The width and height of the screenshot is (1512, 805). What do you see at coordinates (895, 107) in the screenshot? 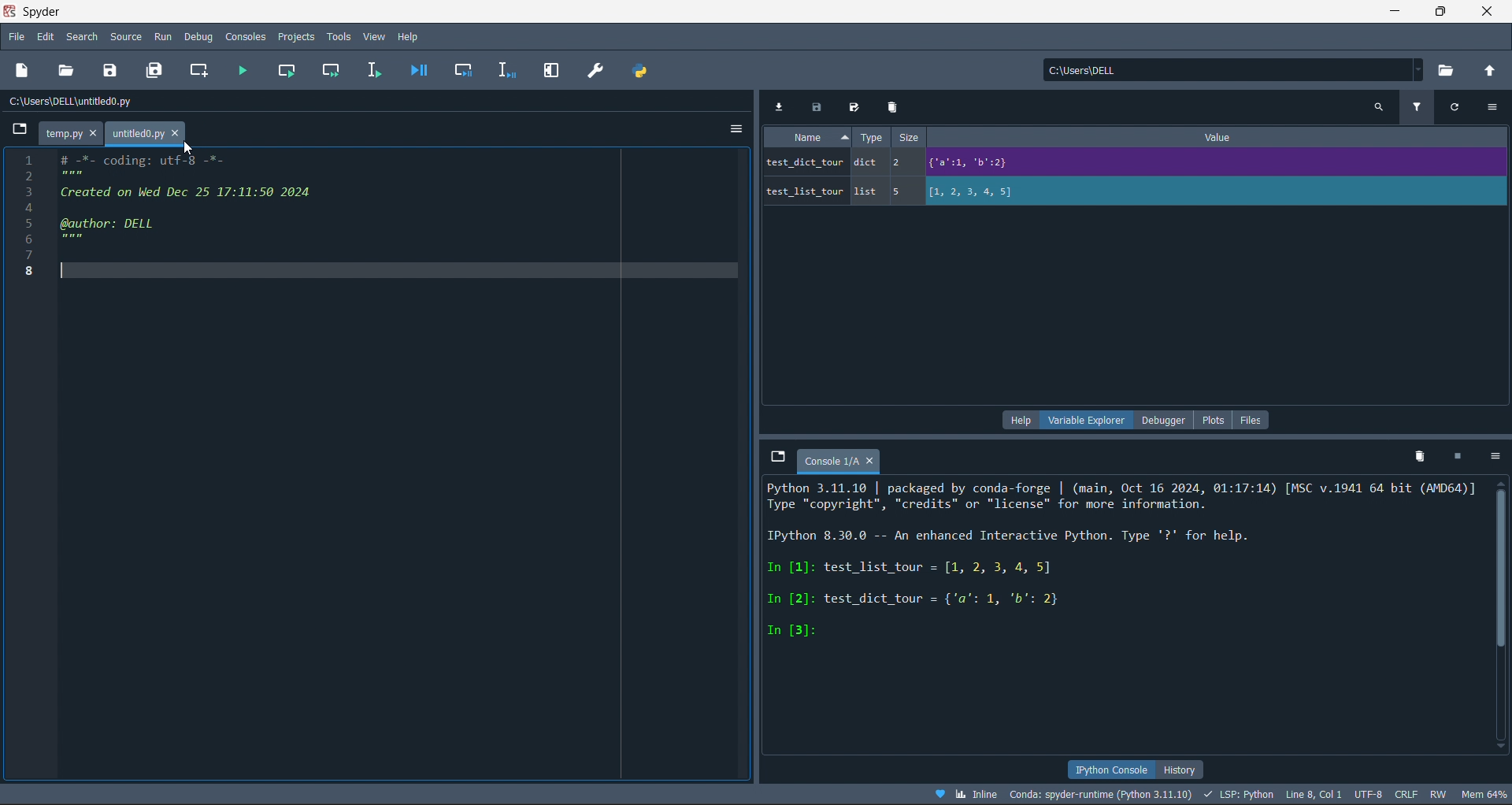
I see `remove variable` at bounding box center [895, 107].